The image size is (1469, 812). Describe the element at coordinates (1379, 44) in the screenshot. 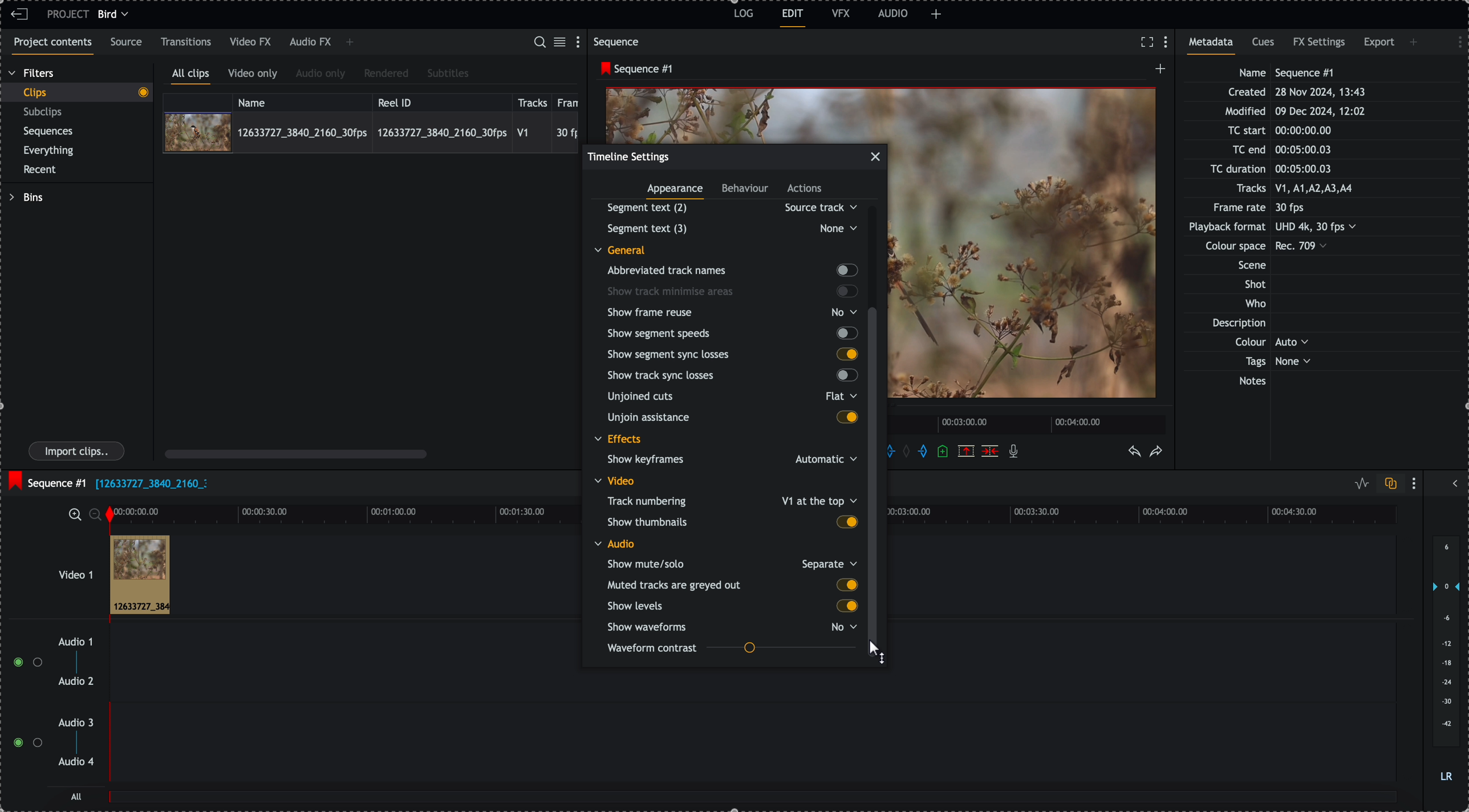

I see `export` at that location.